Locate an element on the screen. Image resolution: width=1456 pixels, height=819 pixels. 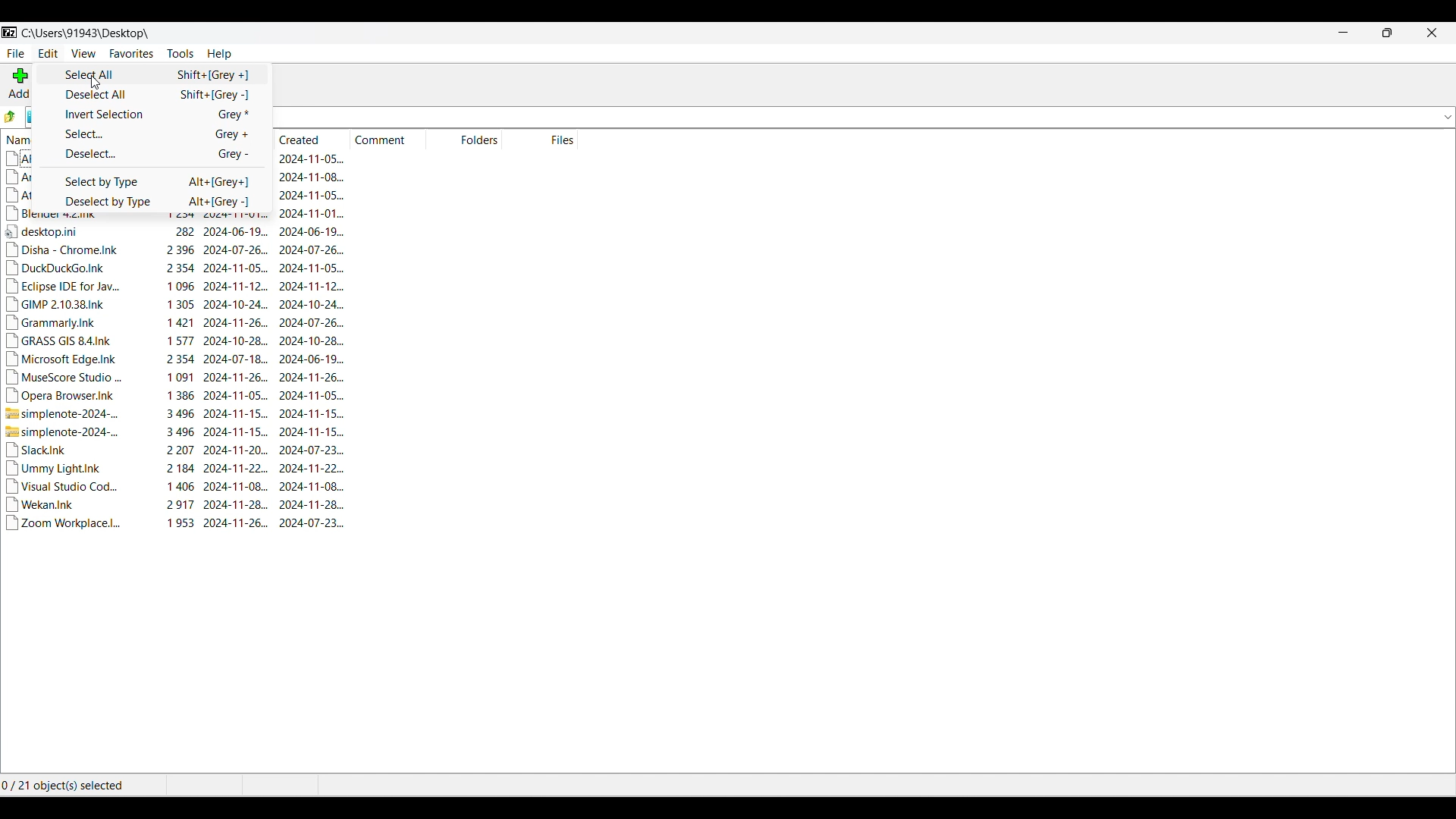
Details of each file in current folder with respect to the column under each is located at coordinates (188, 378).